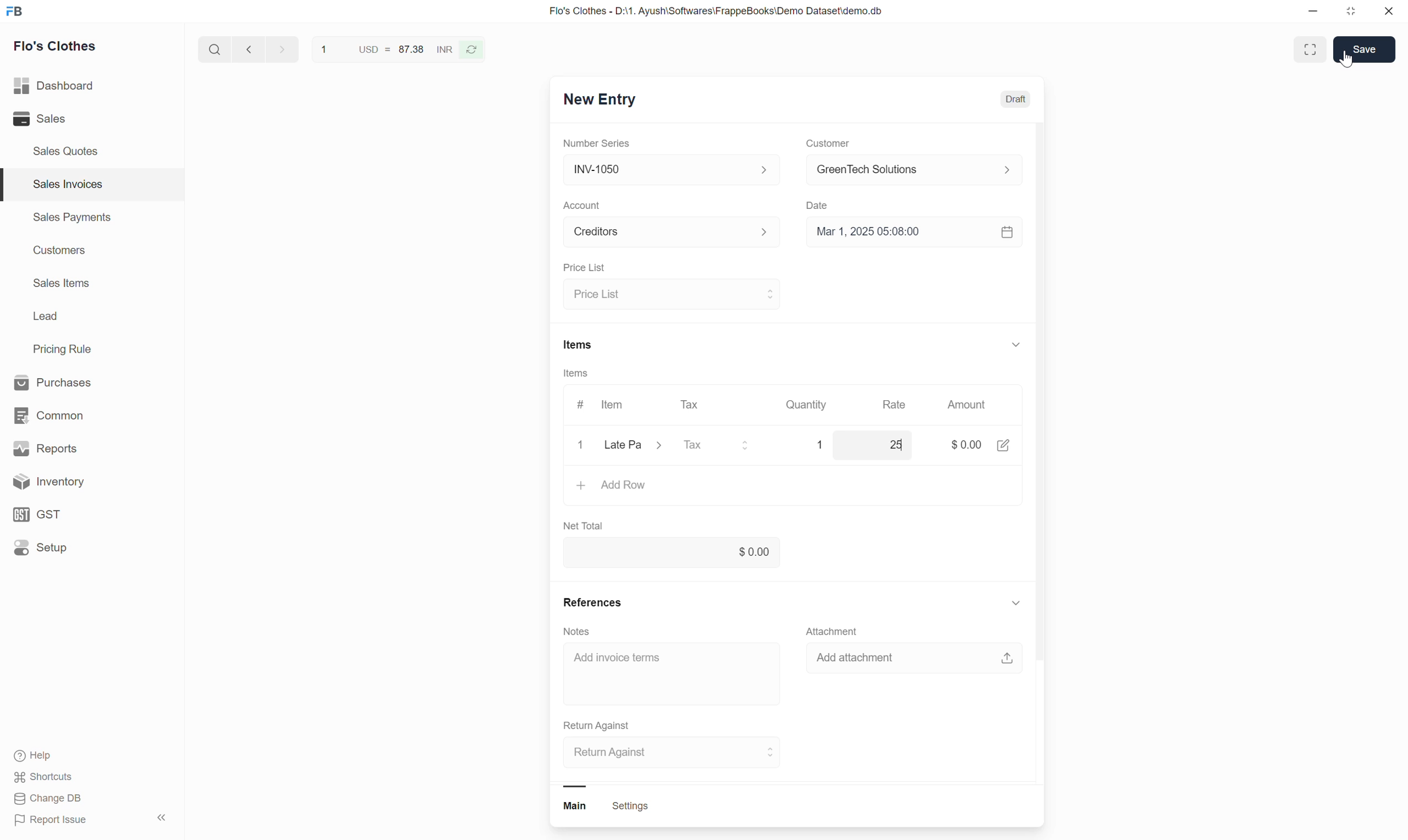 This screenshot has width=1408, height=840. Describe the element at coordinates (575, 448) in the screenshot. I see `close ` at that location.